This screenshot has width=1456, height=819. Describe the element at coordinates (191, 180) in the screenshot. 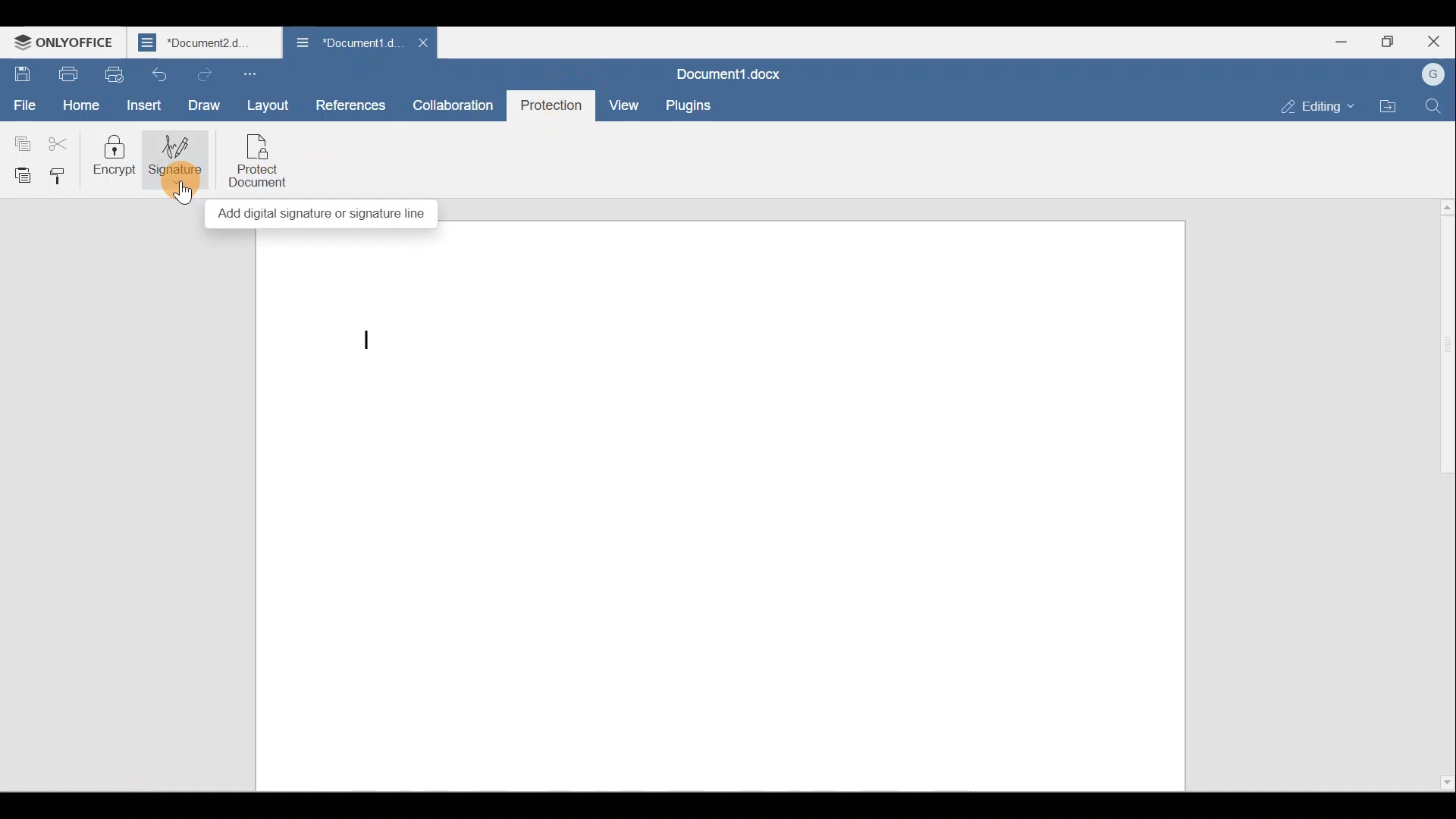

I see `Cursor on signature` at that location.